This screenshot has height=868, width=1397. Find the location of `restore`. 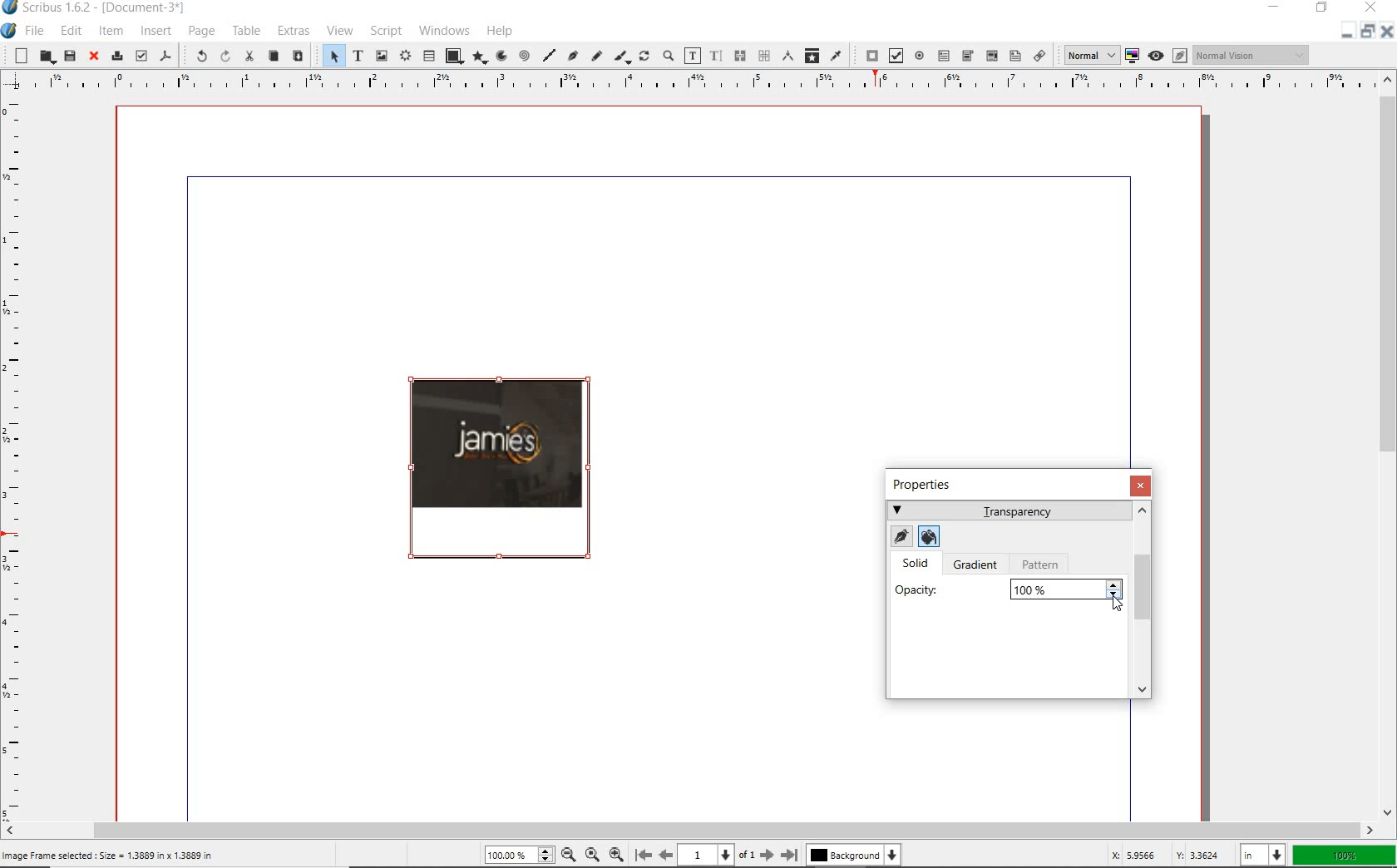

restore is located at coordinates (1366, 35).